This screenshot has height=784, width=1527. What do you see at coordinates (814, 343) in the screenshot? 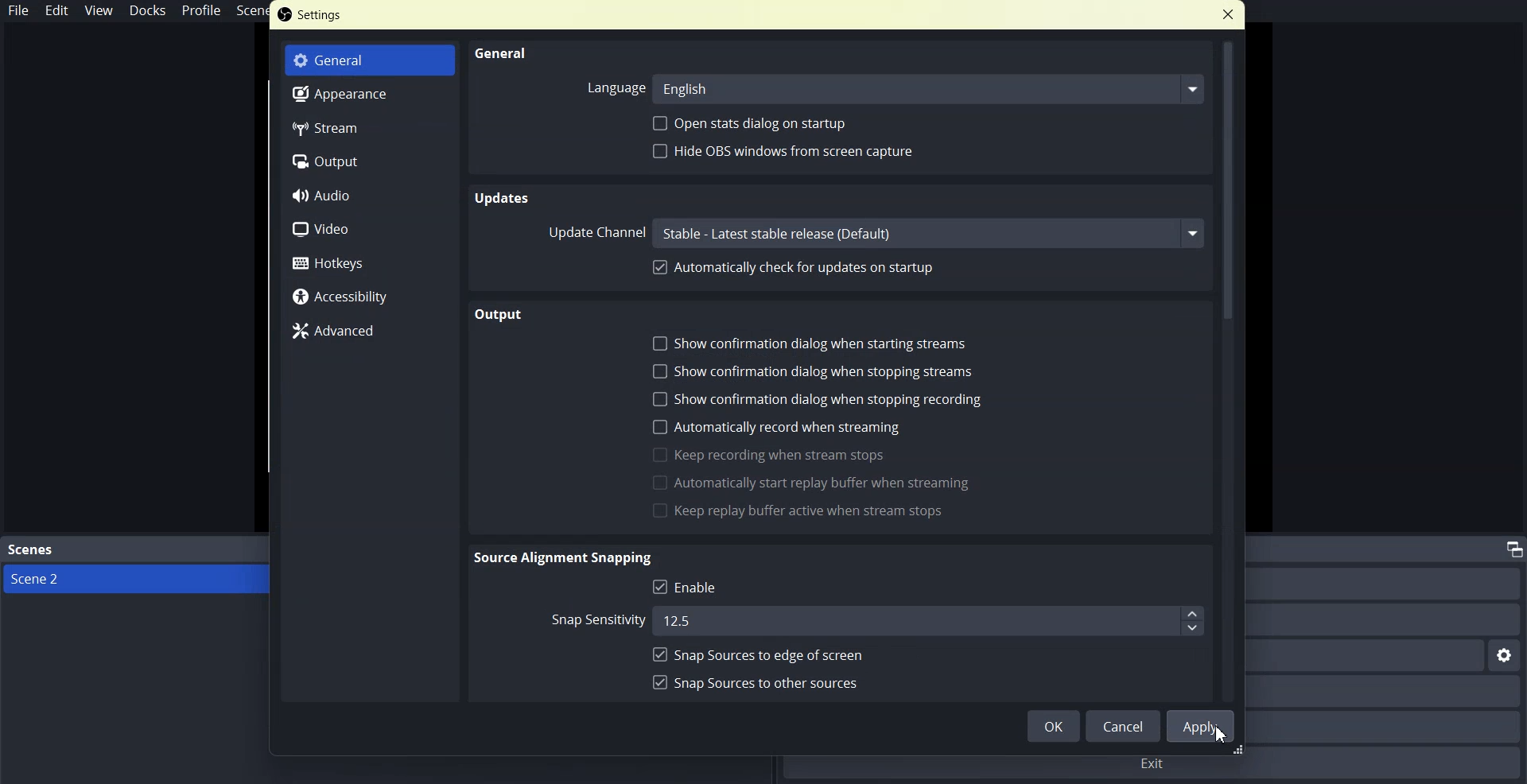
I see `Show configuration dialogue when starting stream` at bounding box center [814, 343].